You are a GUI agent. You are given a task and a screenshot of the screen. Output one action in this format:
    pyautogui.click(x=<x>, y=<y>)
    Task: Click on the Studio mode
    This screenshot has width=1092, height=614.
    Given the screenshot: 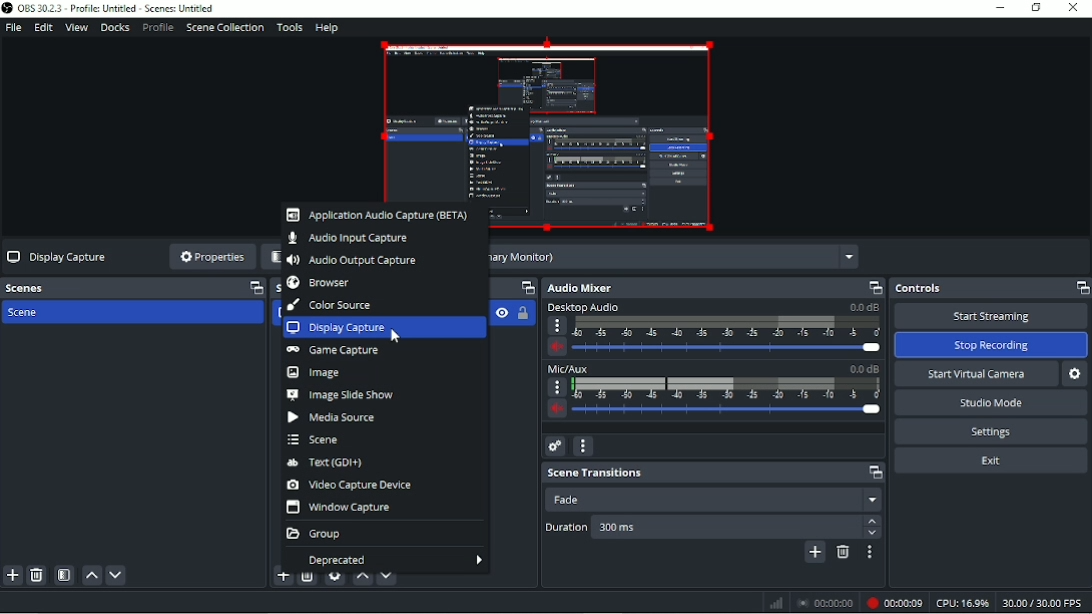 What is the action you would take?
    pyautogui.click(x=991, y=403)
    